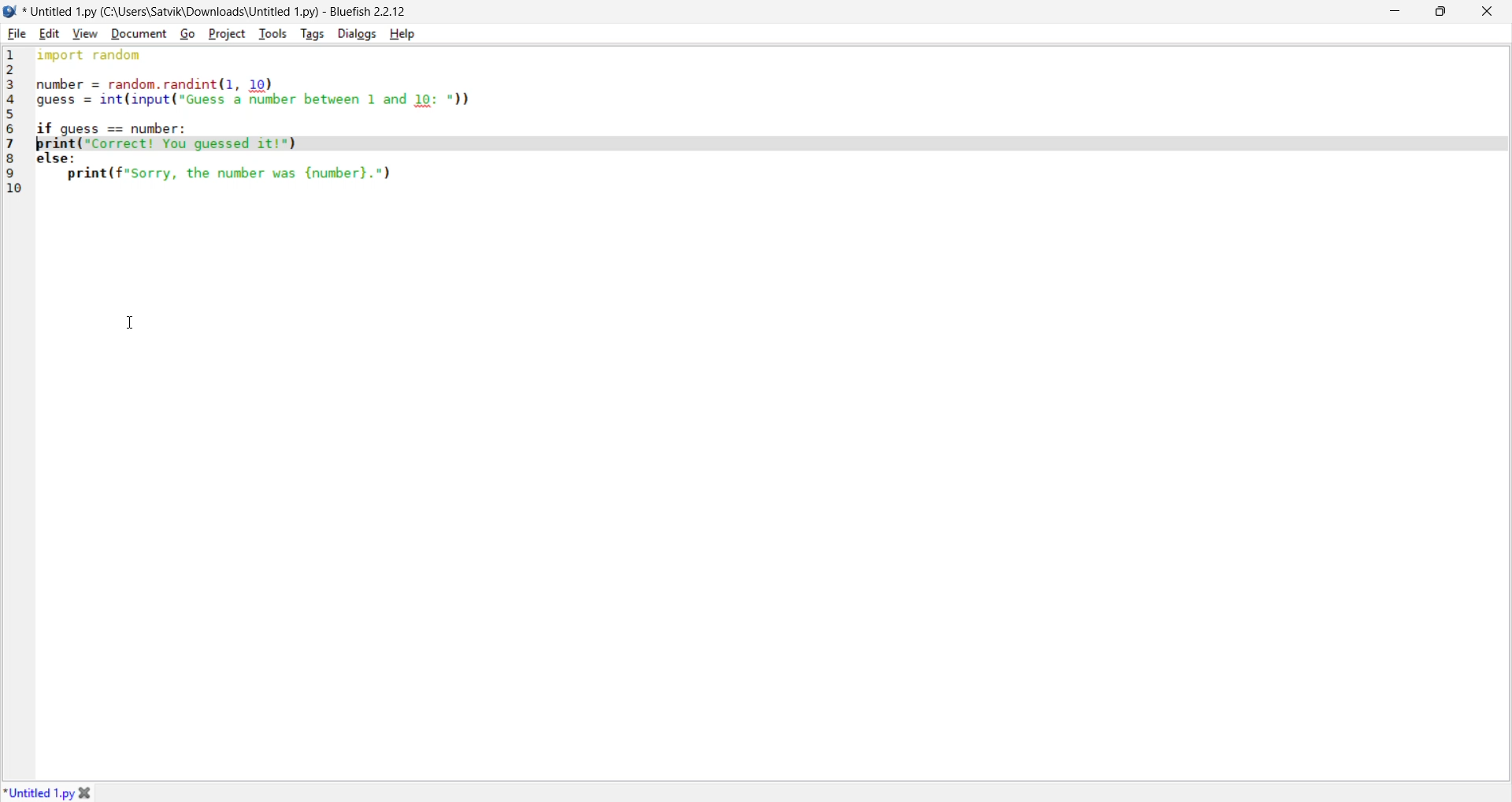 This screenshot has width=1512, height=802. What do you see at coordinates (39, 791) in the screenshot?
I see `* Untitled 1.py` at bounding box center [39, 791].